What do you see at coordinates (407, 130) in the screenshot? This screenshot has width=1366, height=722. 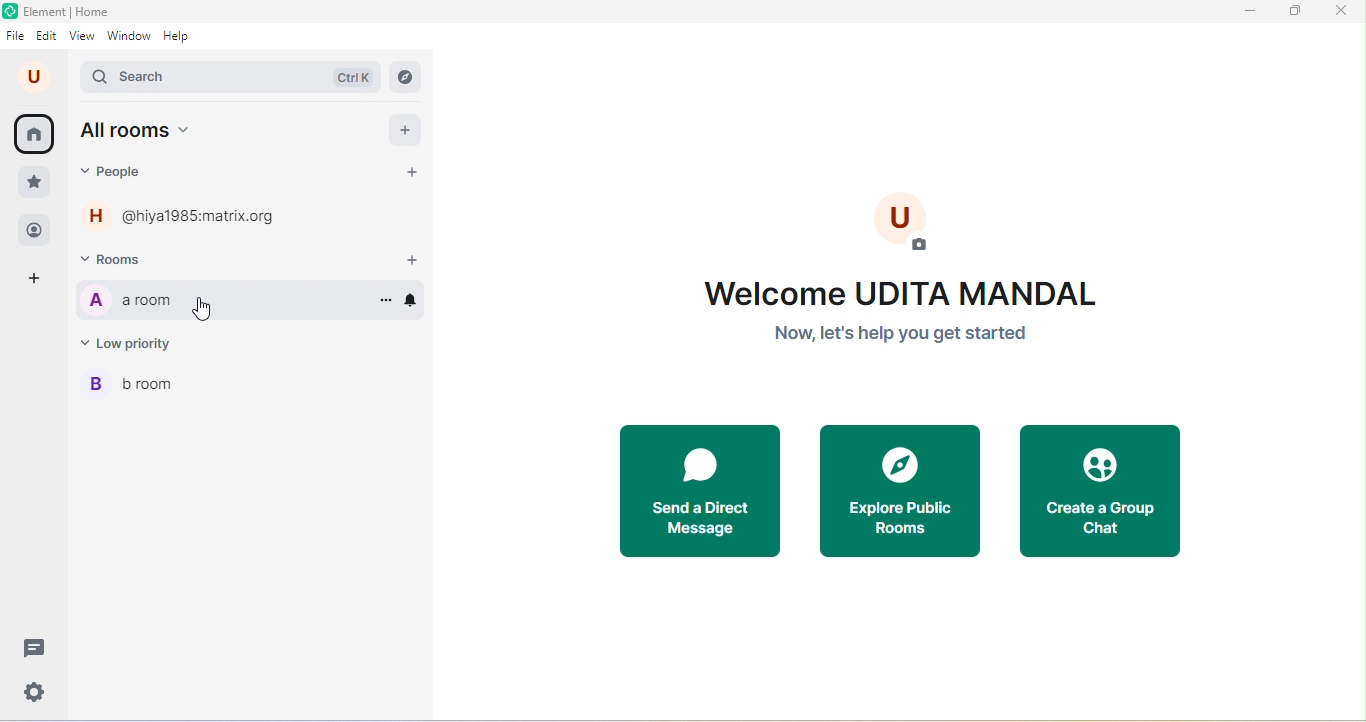 I see `add` at bounding box center [407, 130].